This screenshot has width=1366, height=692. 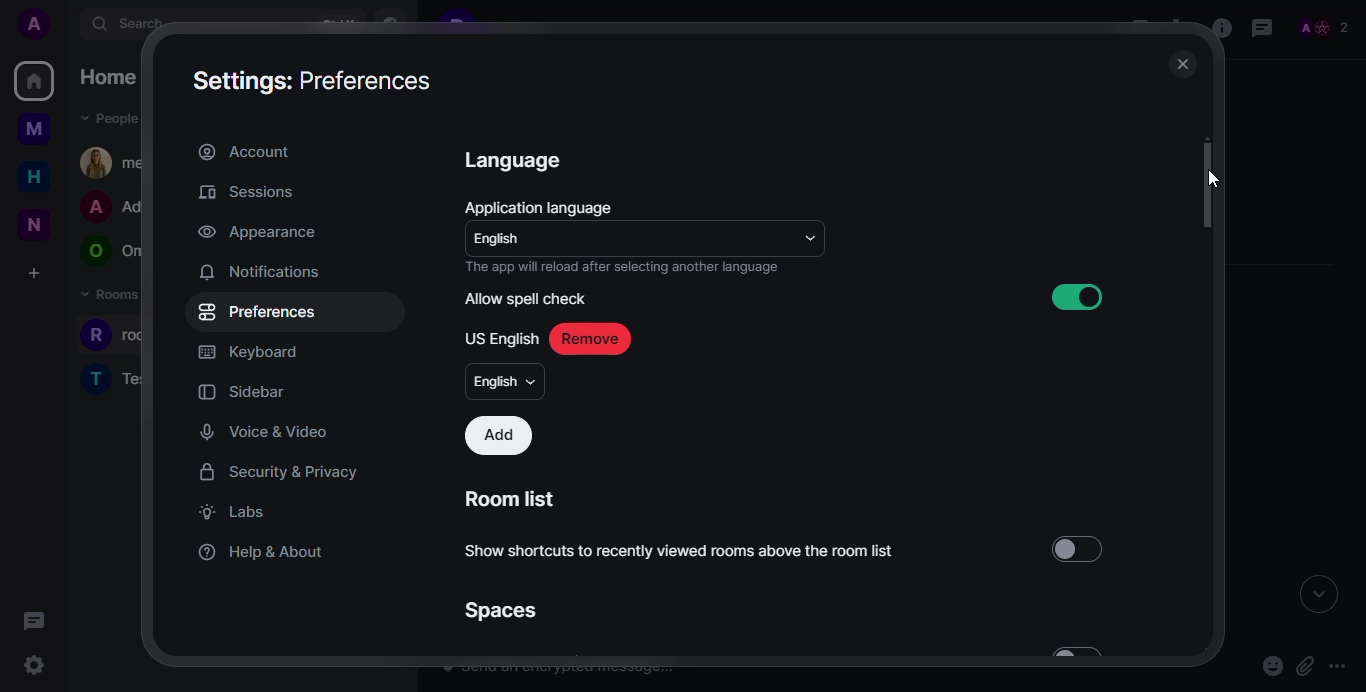 What do you see at coordinates (263, 549) in the screenshot?
I see `help` at bounding box center [263, 549].